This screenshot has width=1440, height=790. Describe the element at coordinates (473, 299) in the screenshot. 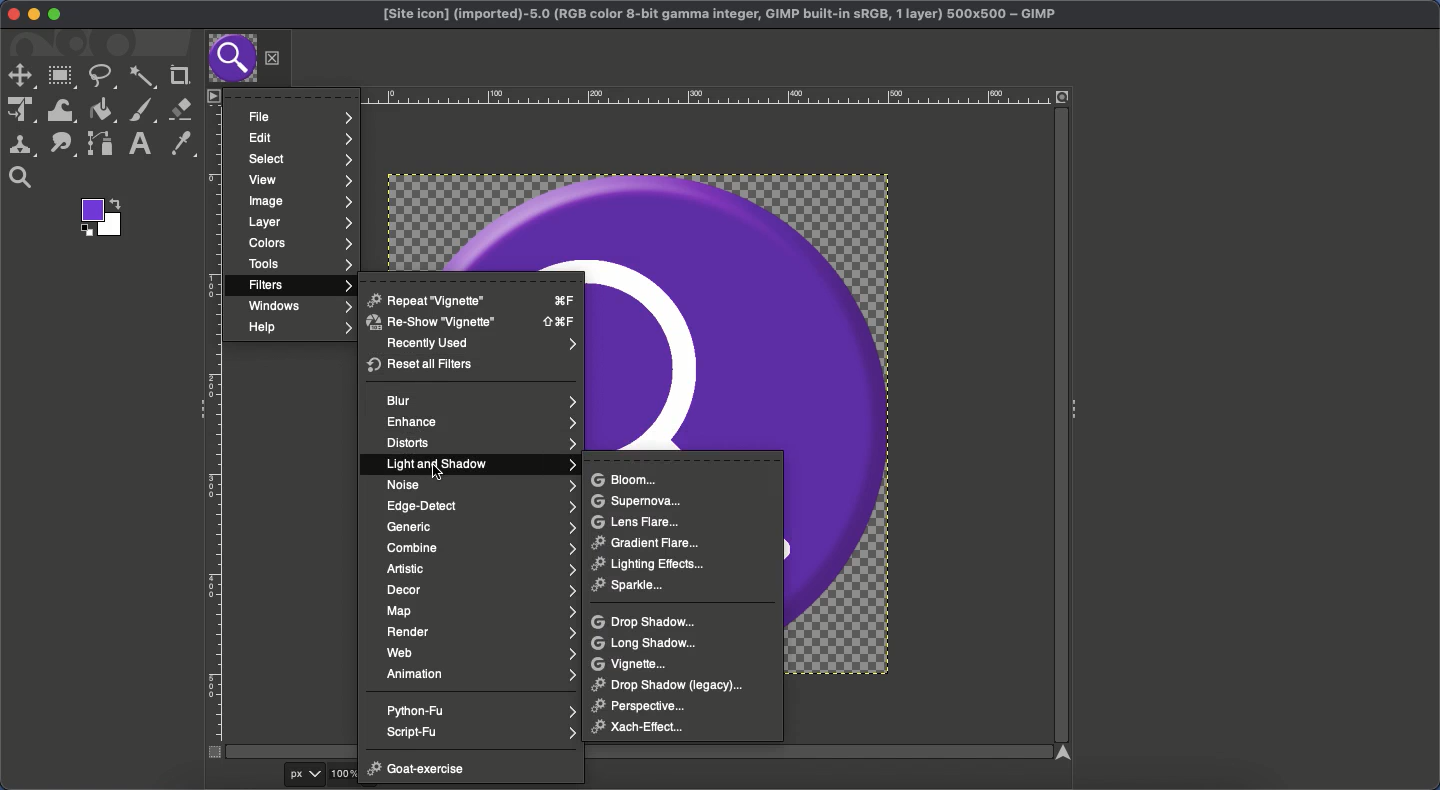

I see `Repeat vignette` at that location.